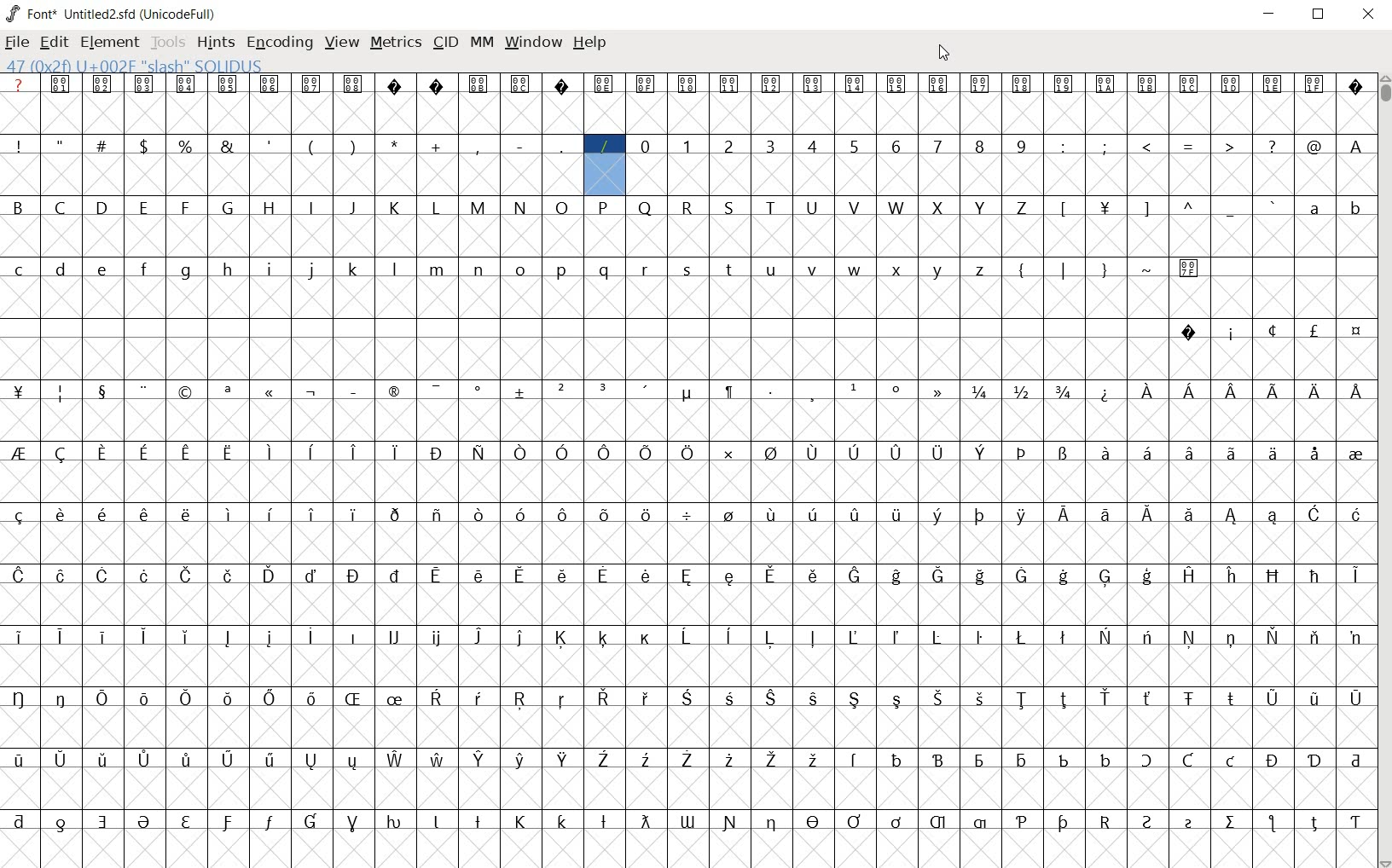 This screenshot has width=1392, height=868. I want to click on glyph, so click(478, 392).